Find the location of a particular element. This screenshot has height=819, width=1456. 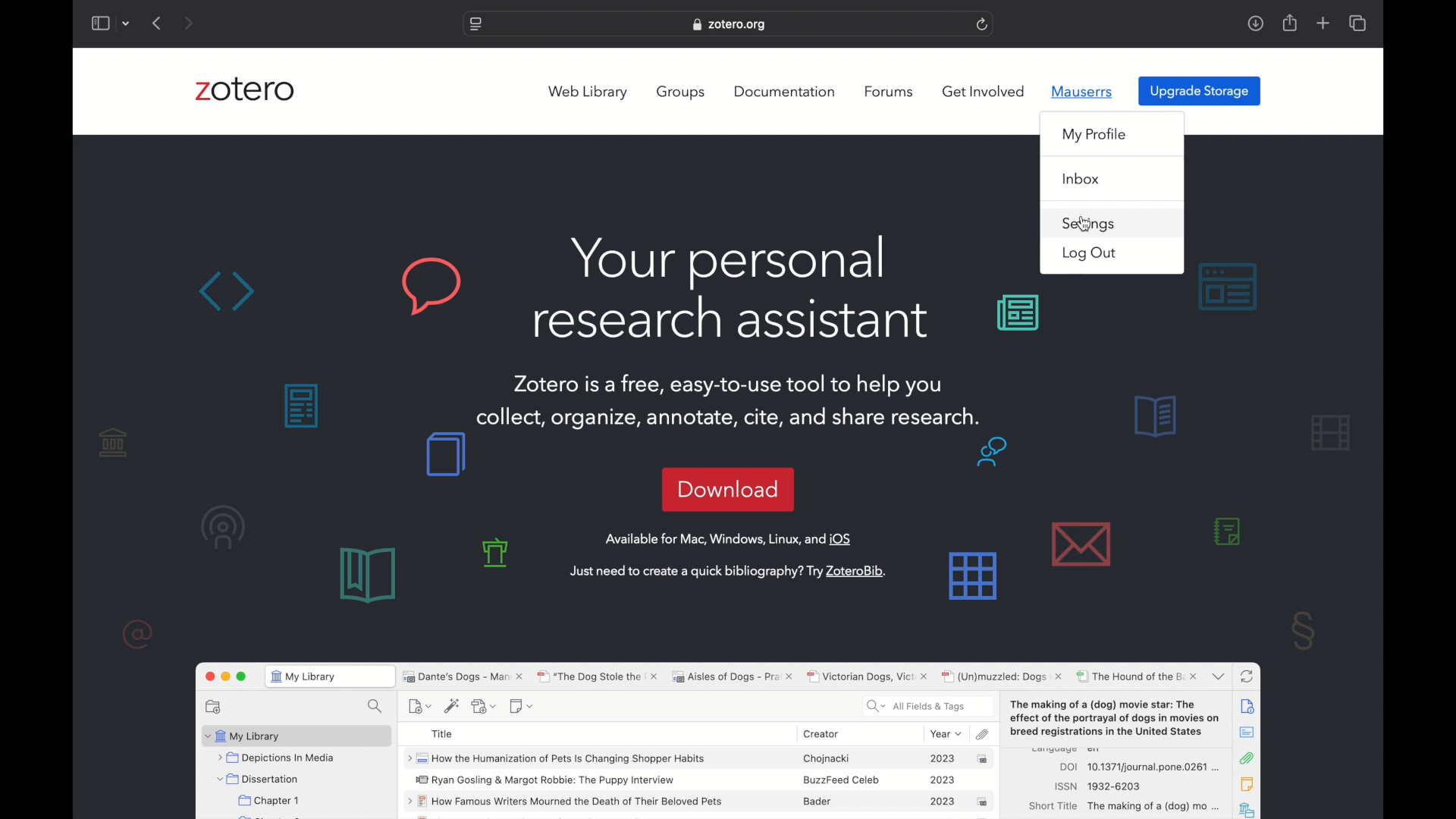

background graphics is located at coordinates (170, 535).